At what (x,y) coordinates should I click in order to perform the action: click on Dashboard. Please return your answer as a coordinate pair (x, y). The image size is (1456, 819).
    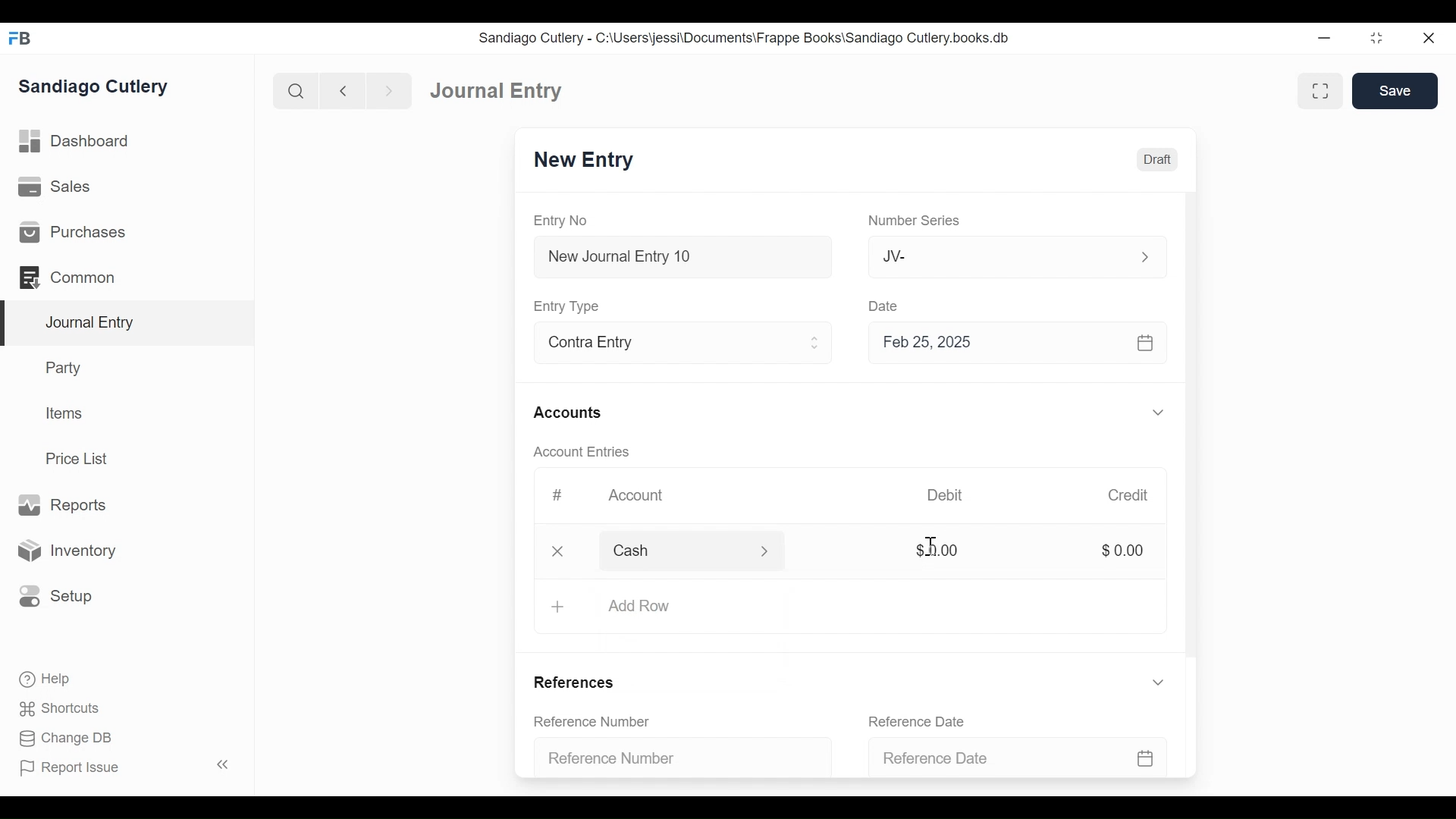
    Looking at the image, I should click on (80, 143).